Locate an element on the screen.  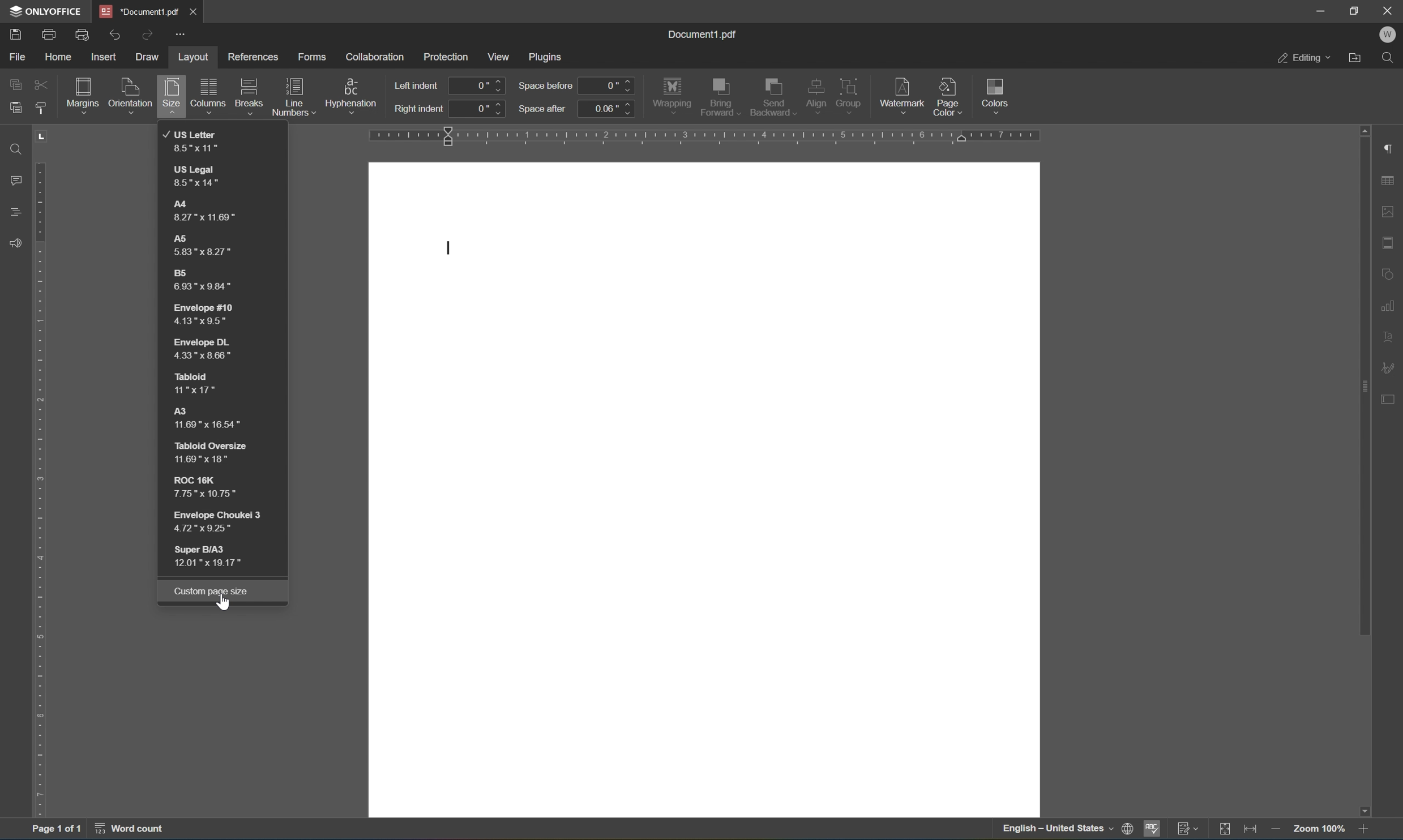
forms is located at coordinates (311, 54).